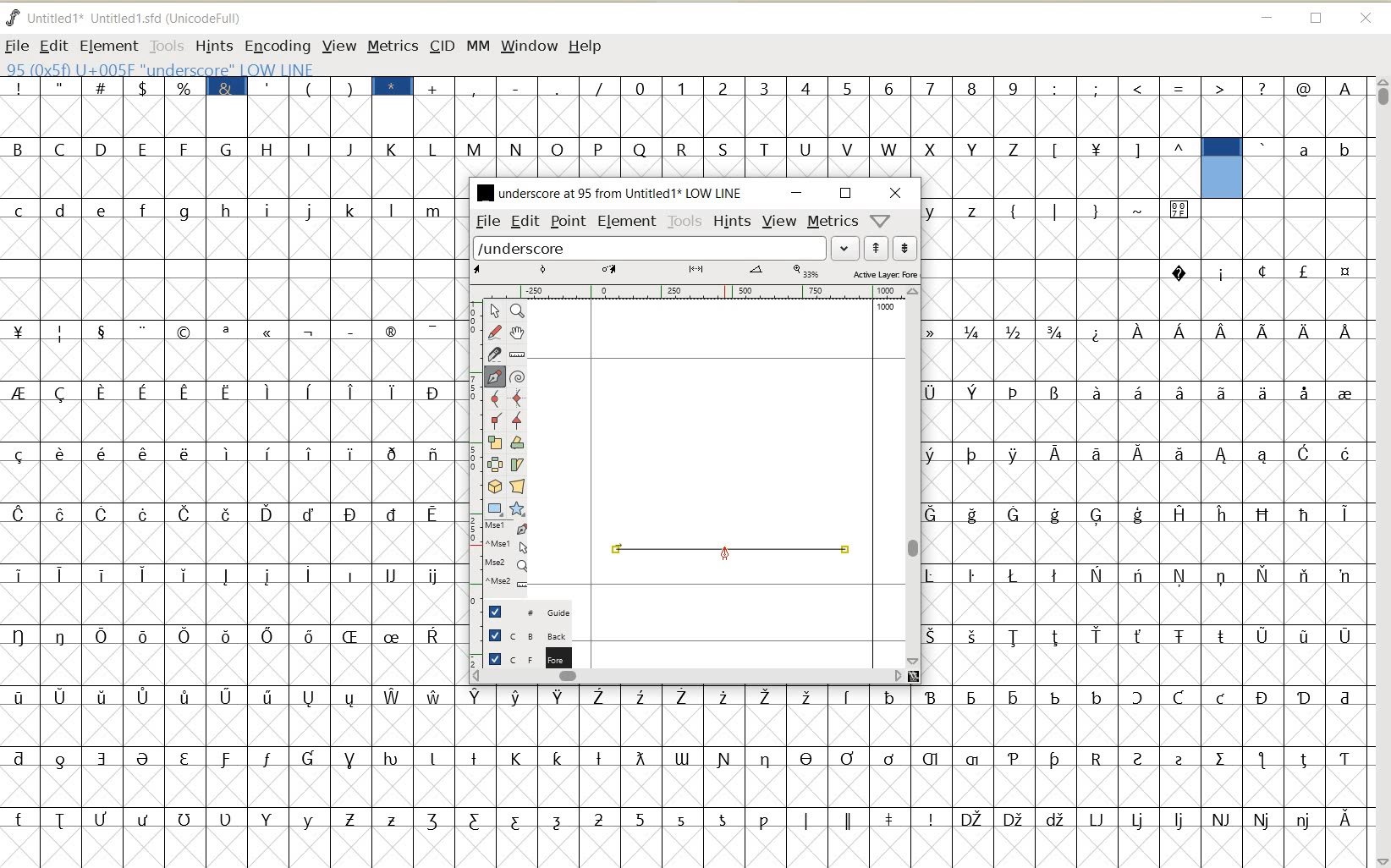 This screenshot has height=868, width=1391. What do you see at coordinates (519, 332) in the screenshot?
I see `scroll by hand` at bounding box center [519, 332].